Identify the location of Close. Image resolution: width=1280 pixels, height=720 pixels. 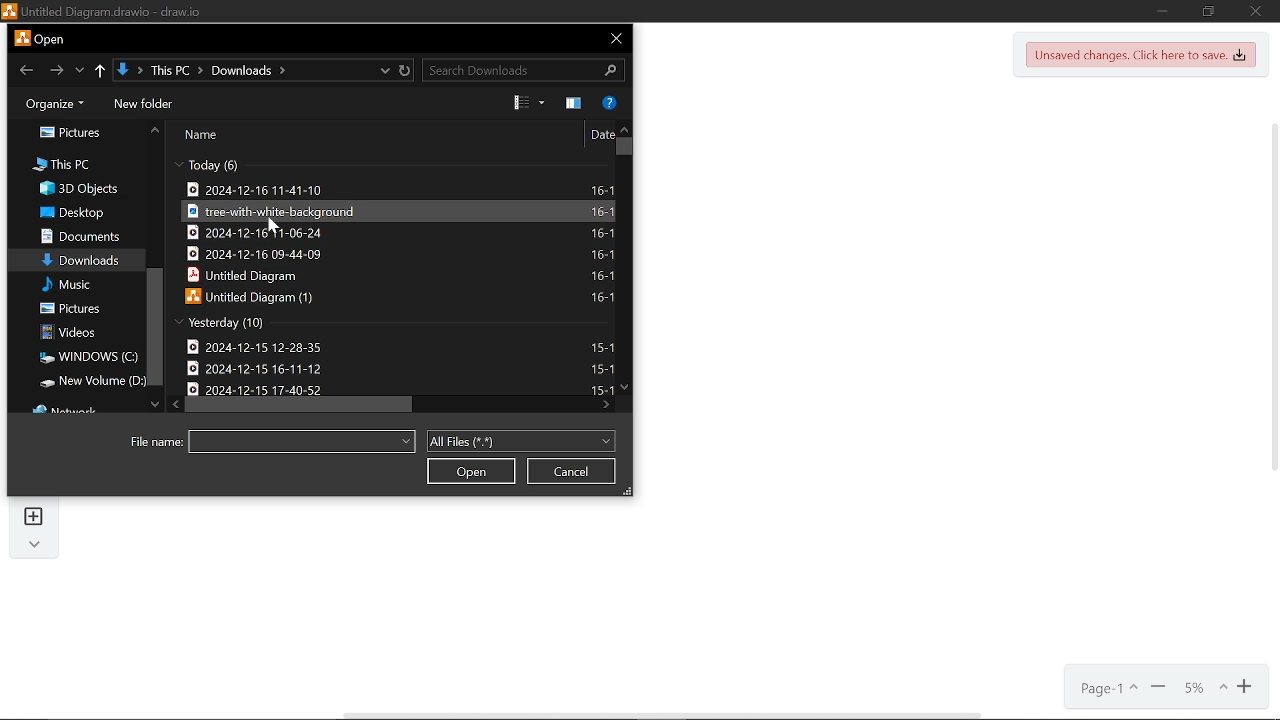
(1257, 11).